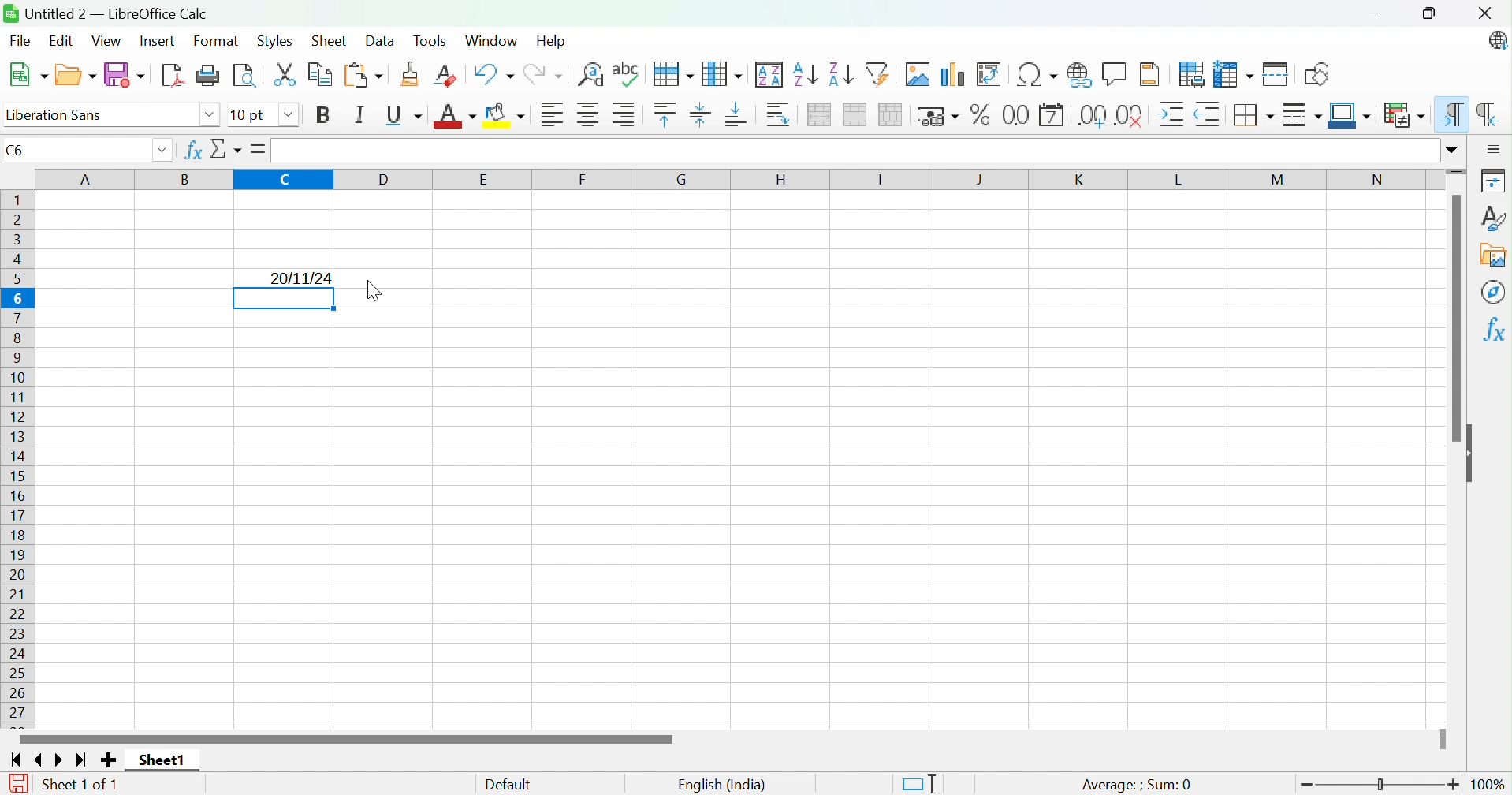 The width and height of the screenshot is (1512, 795). I want to click on Scroll to last sheet, so click(84, 760).